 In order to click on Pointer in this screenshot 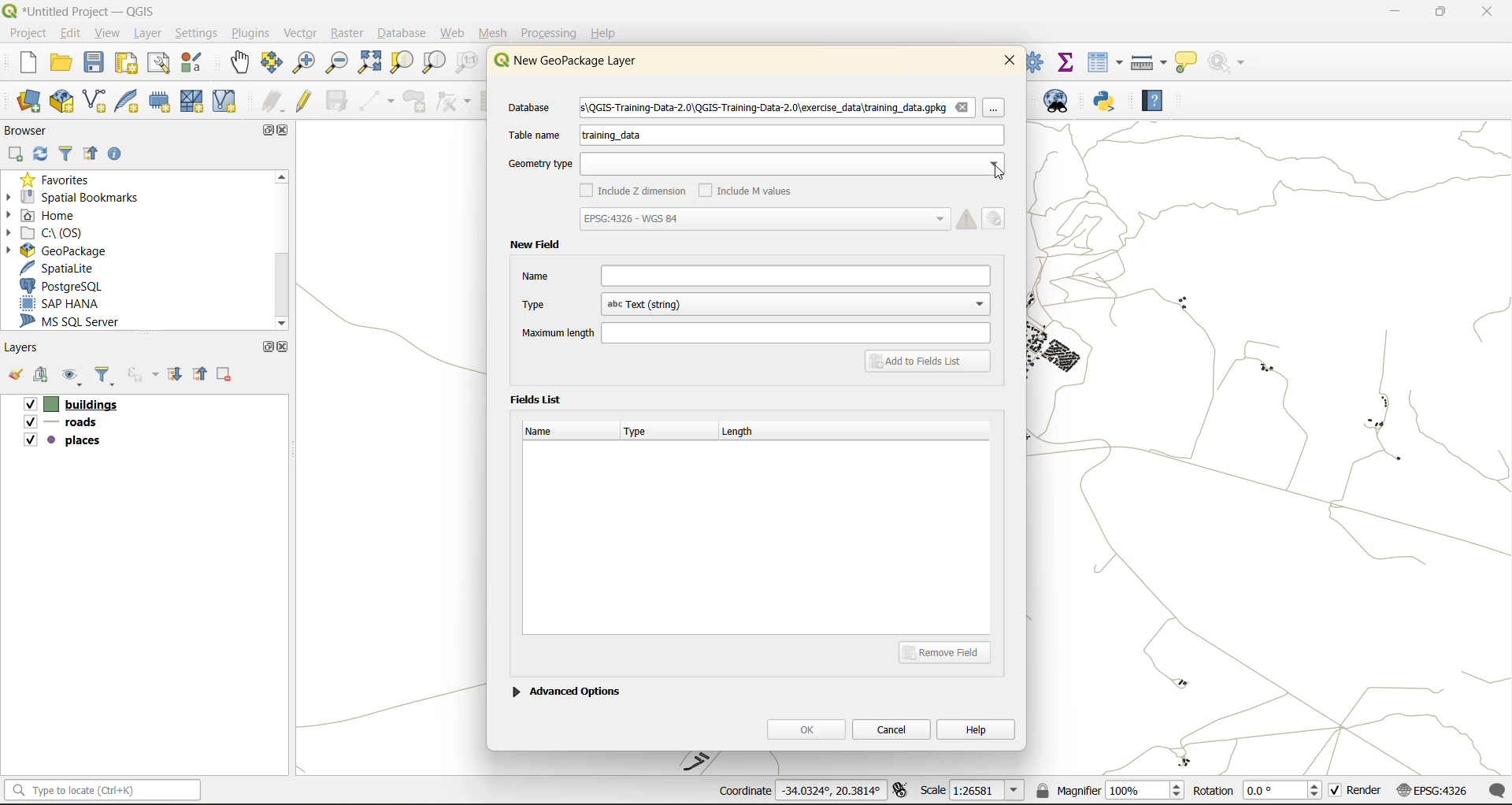, I will do `click(995, 108)`.